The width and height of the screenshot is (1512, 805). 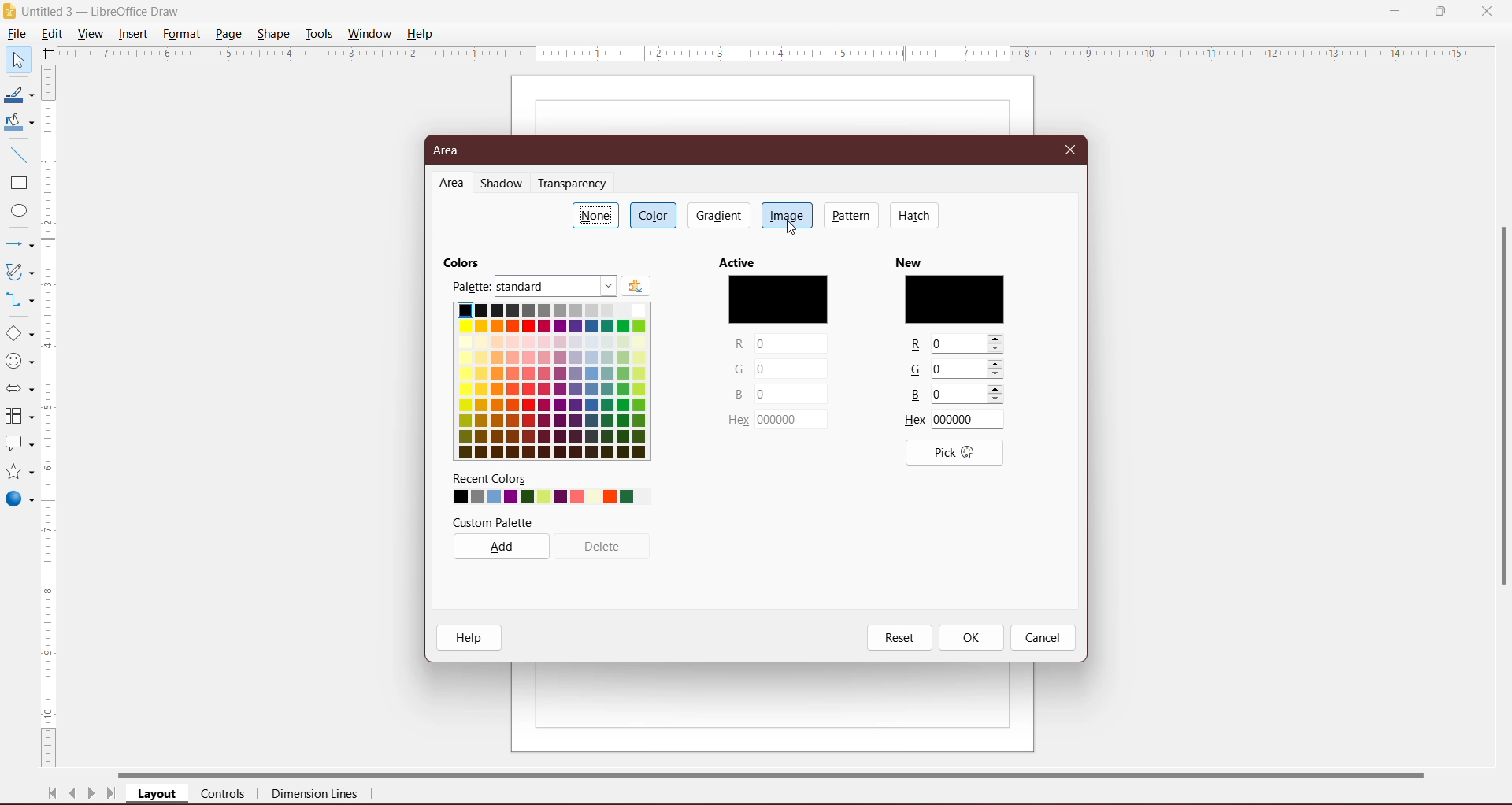 I want to click on Hex, so click(x=736, y=422).